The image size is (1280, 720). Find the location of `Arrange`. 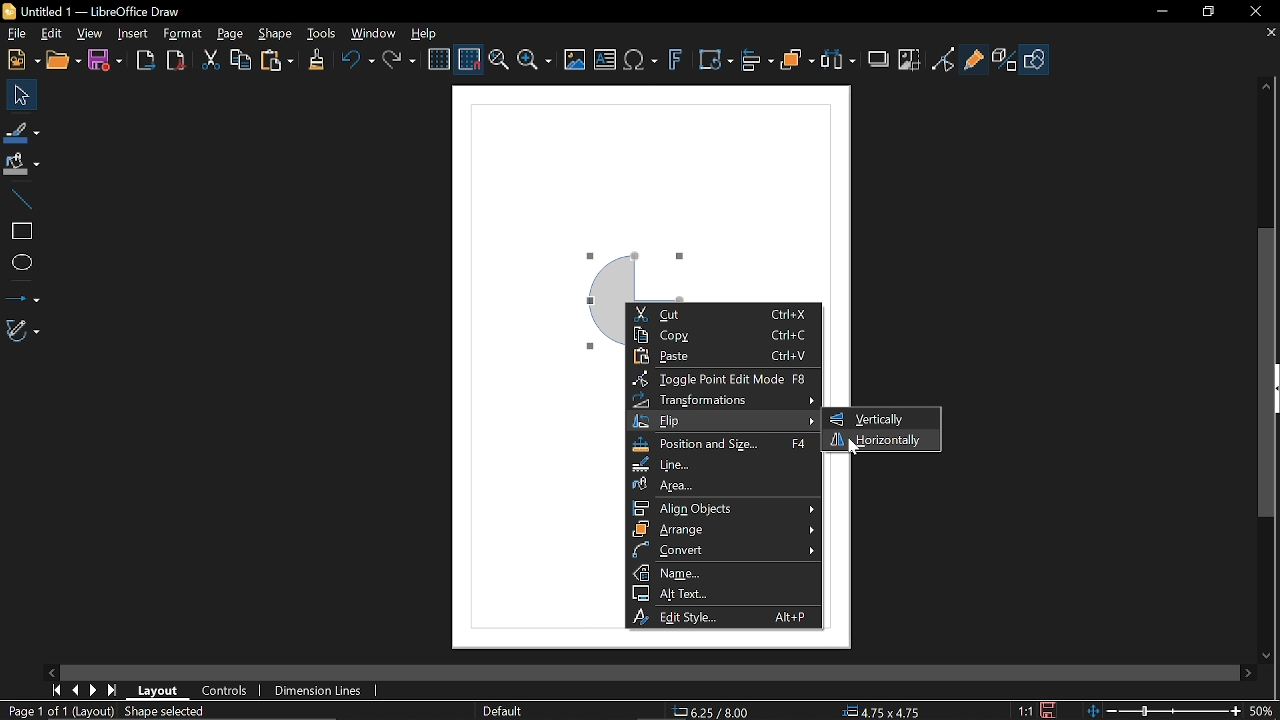

Arrange is located at coordinates (725, 529).